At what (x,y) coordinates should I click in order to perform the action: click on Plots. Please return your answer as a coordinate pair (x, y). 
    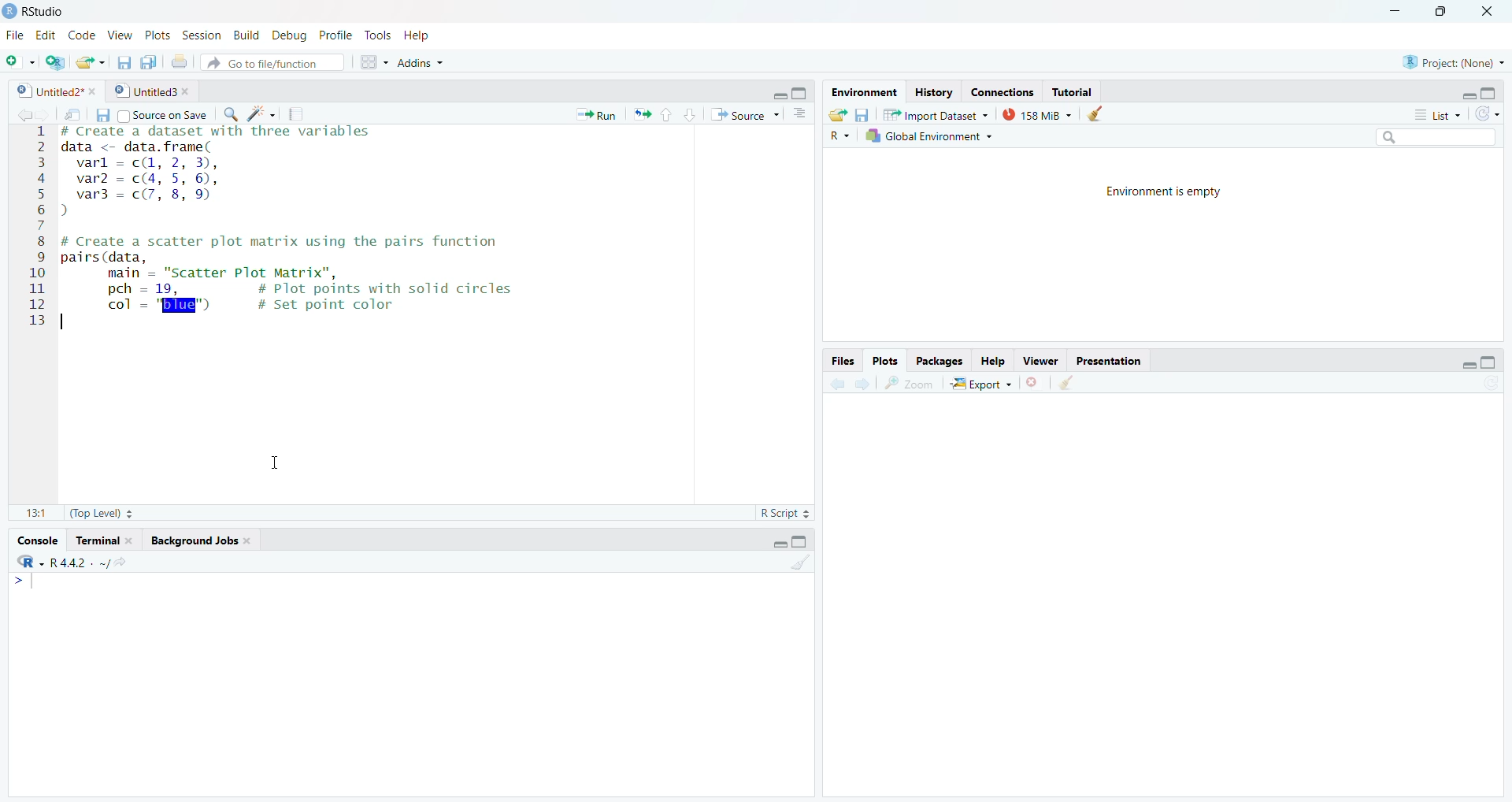
    Looking at the image, I should click on (888, 360).